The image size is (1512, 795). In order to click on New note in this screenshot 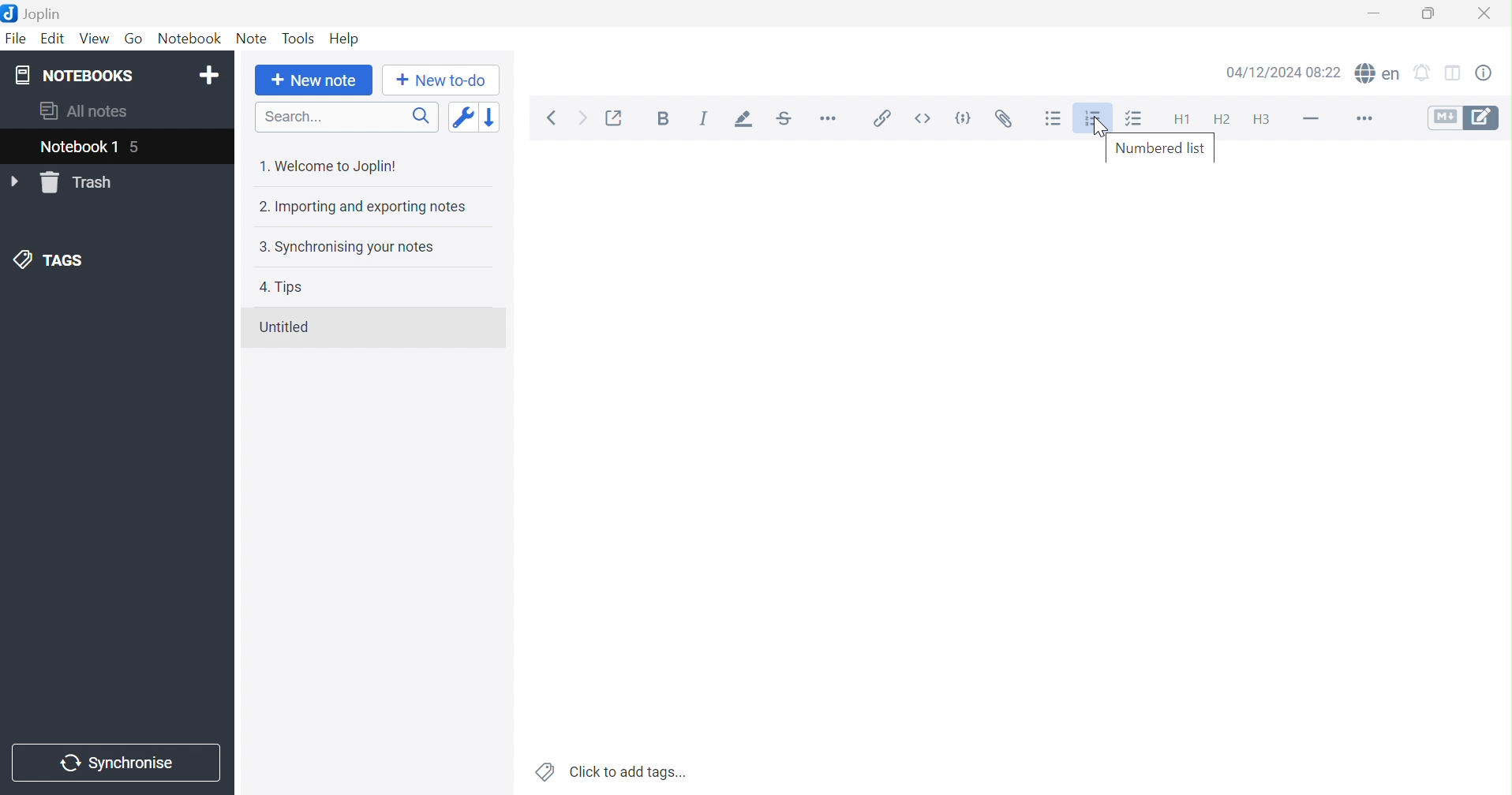, I will do `click(314, 81)`.